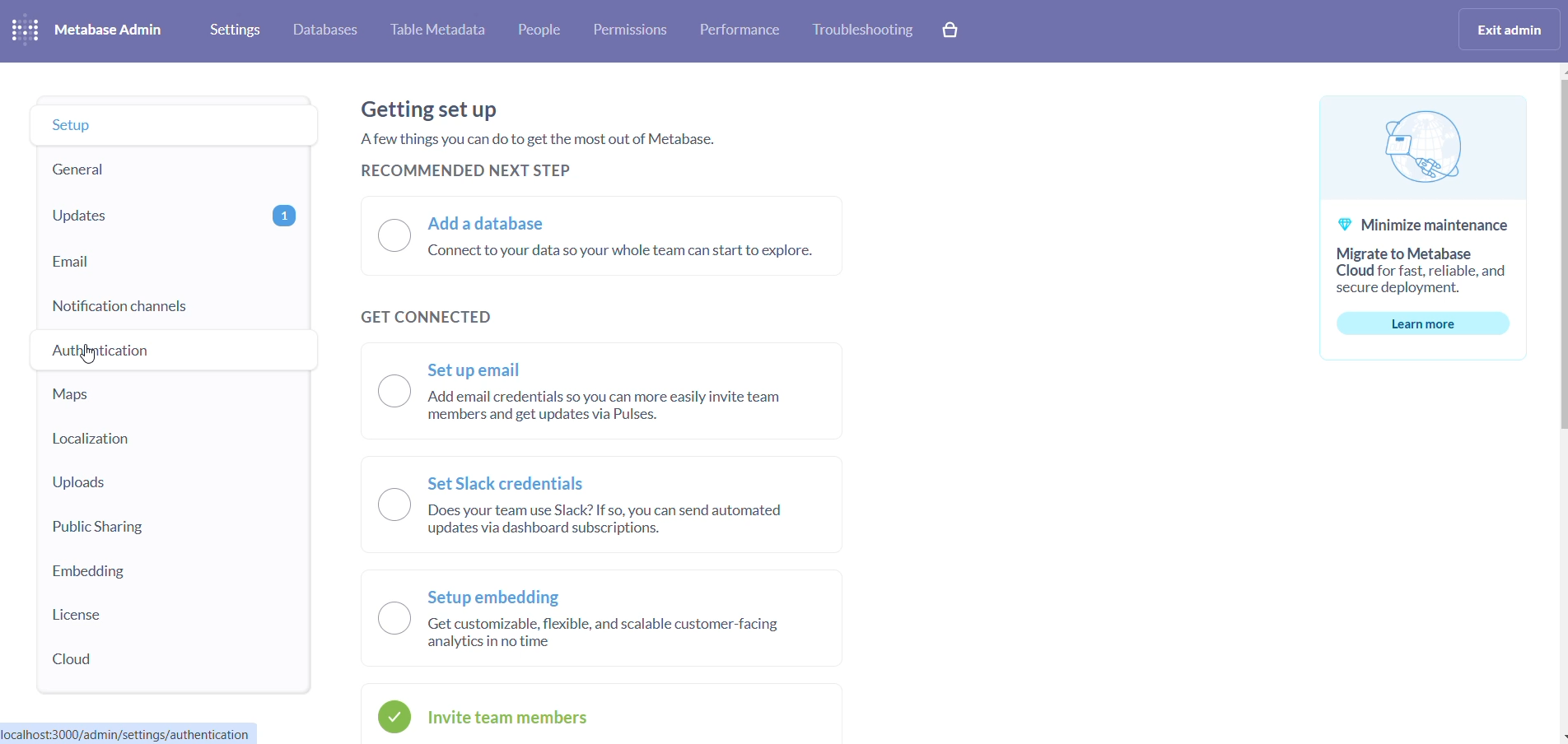 The image size is (1568, 744). Describe the element at coordinates (156, 167) in the screenshot. I see `general` at that location.